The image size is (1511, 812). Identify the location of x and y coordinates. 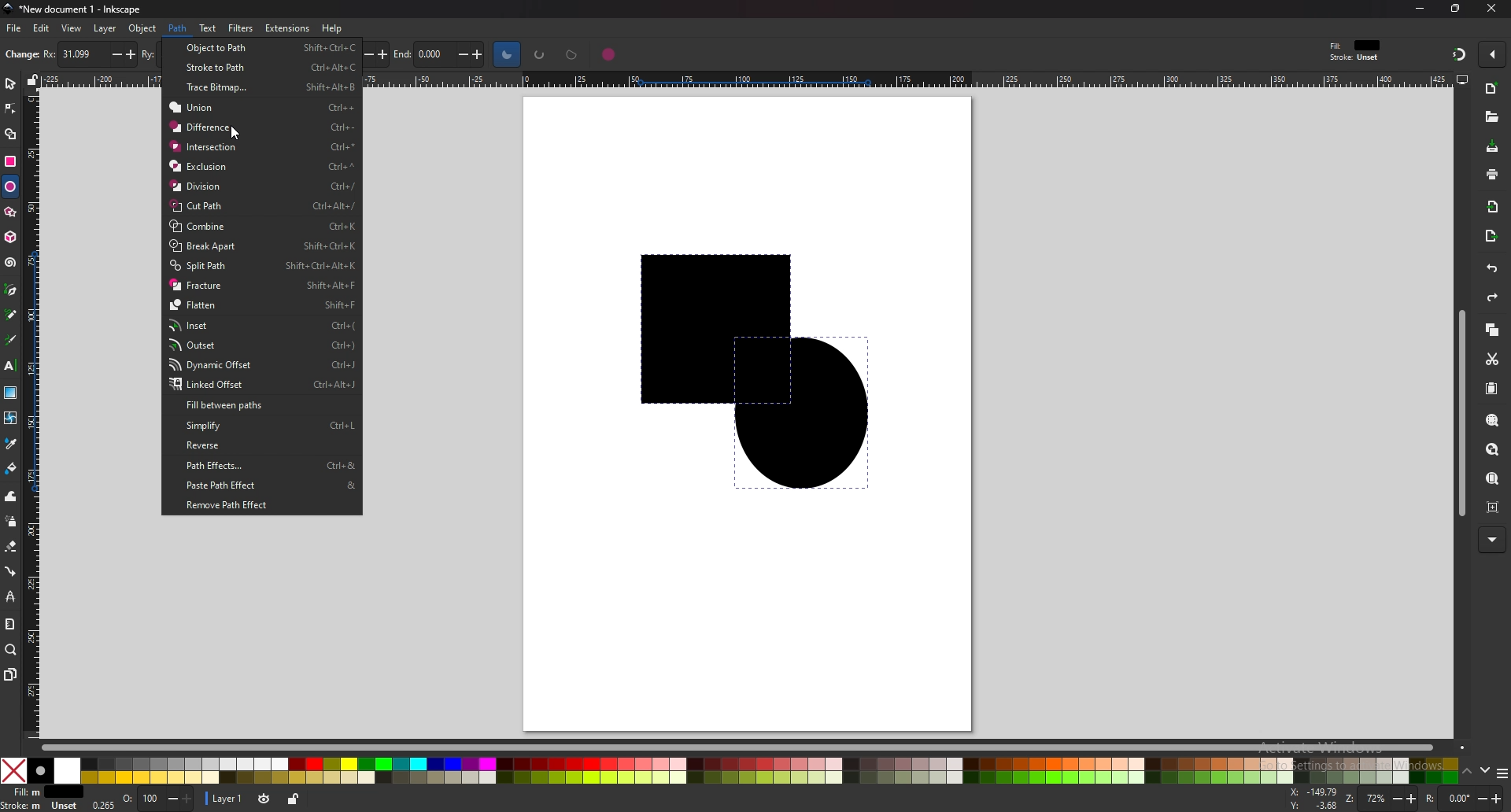
(1314, 799).